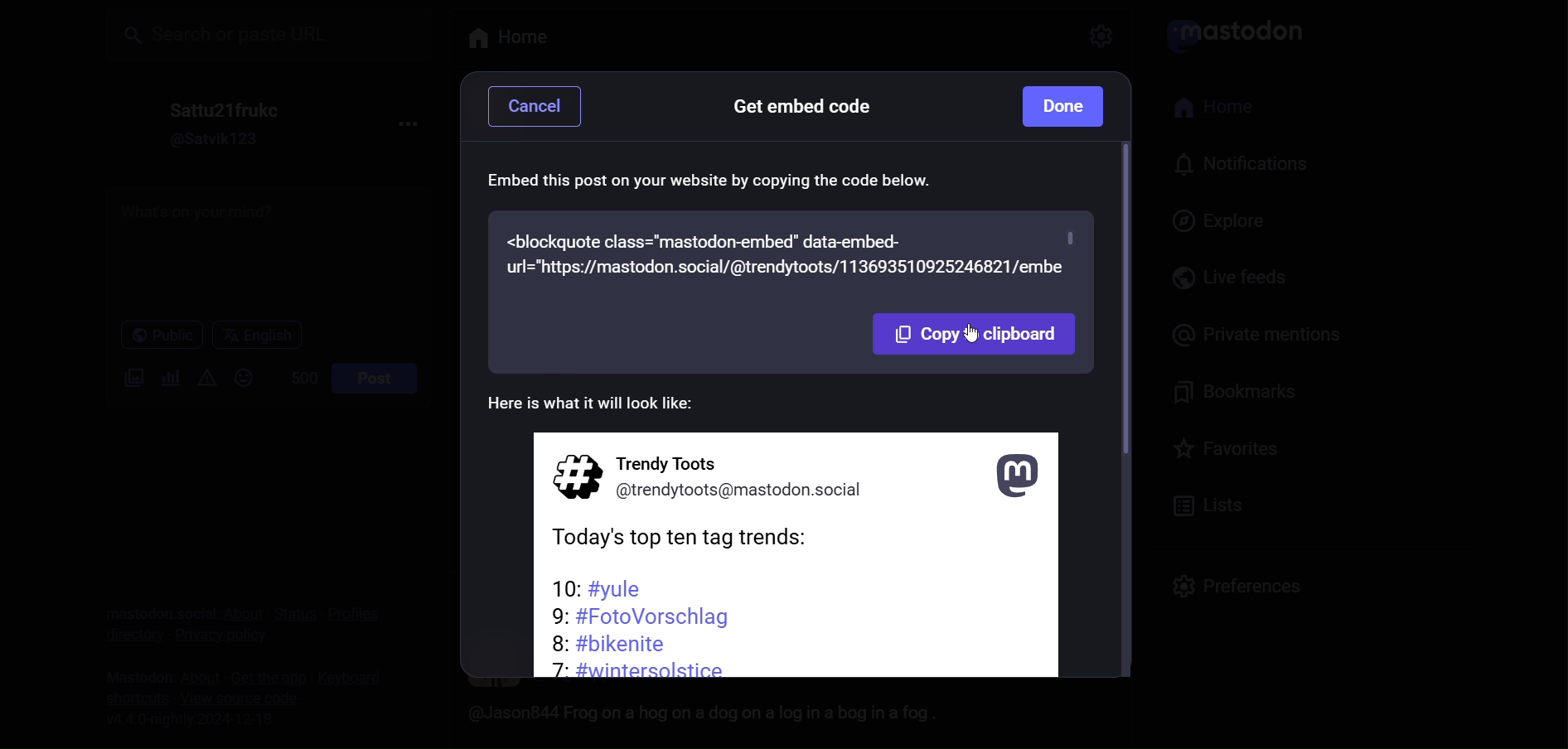 The width and height of the screenshot is (1568, 749). I want to click on preview text, so click(609, 406).